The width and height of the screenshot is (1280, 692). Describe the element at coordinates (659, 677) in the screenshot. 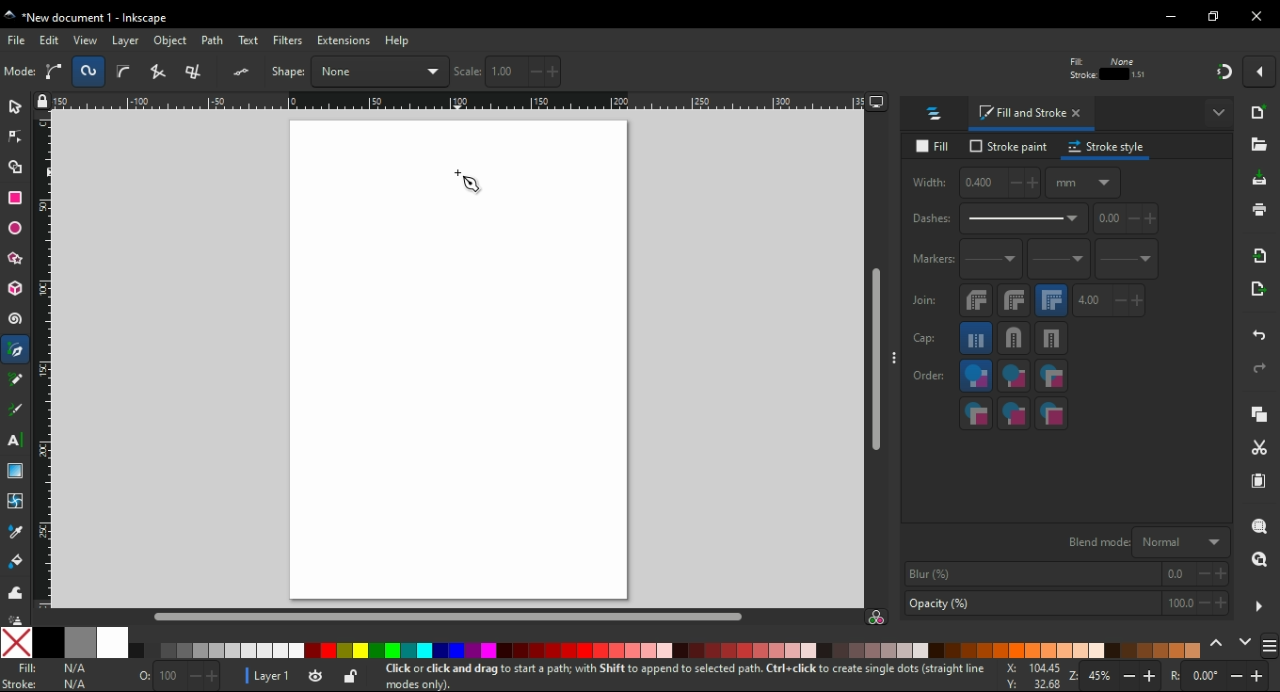

I see `Click or click and drag to start a path, with Shift to append to selected paths.` at that location.